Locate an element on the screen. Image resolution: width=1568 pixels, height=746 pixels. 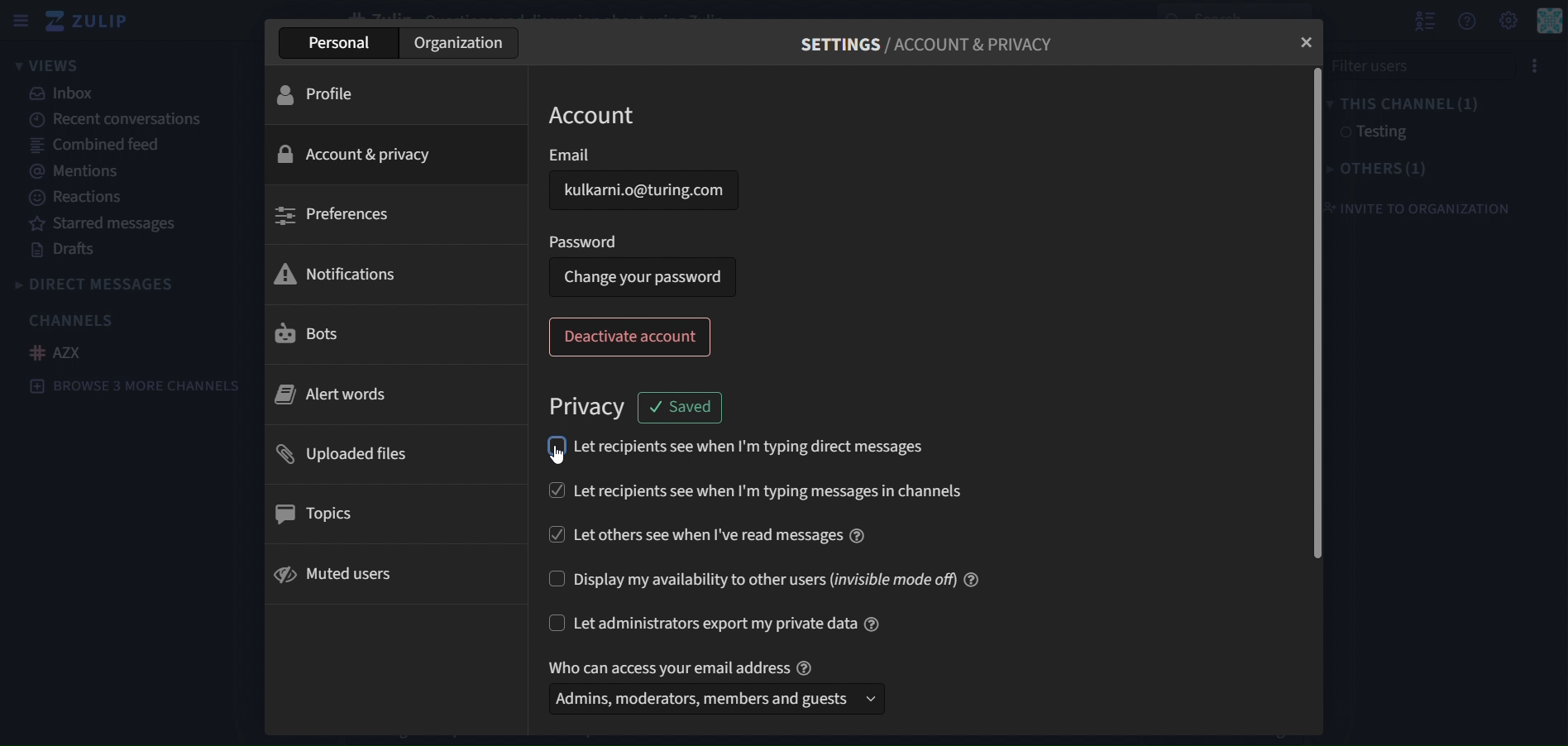
invite to organization is located at coordinates (1426, 209).